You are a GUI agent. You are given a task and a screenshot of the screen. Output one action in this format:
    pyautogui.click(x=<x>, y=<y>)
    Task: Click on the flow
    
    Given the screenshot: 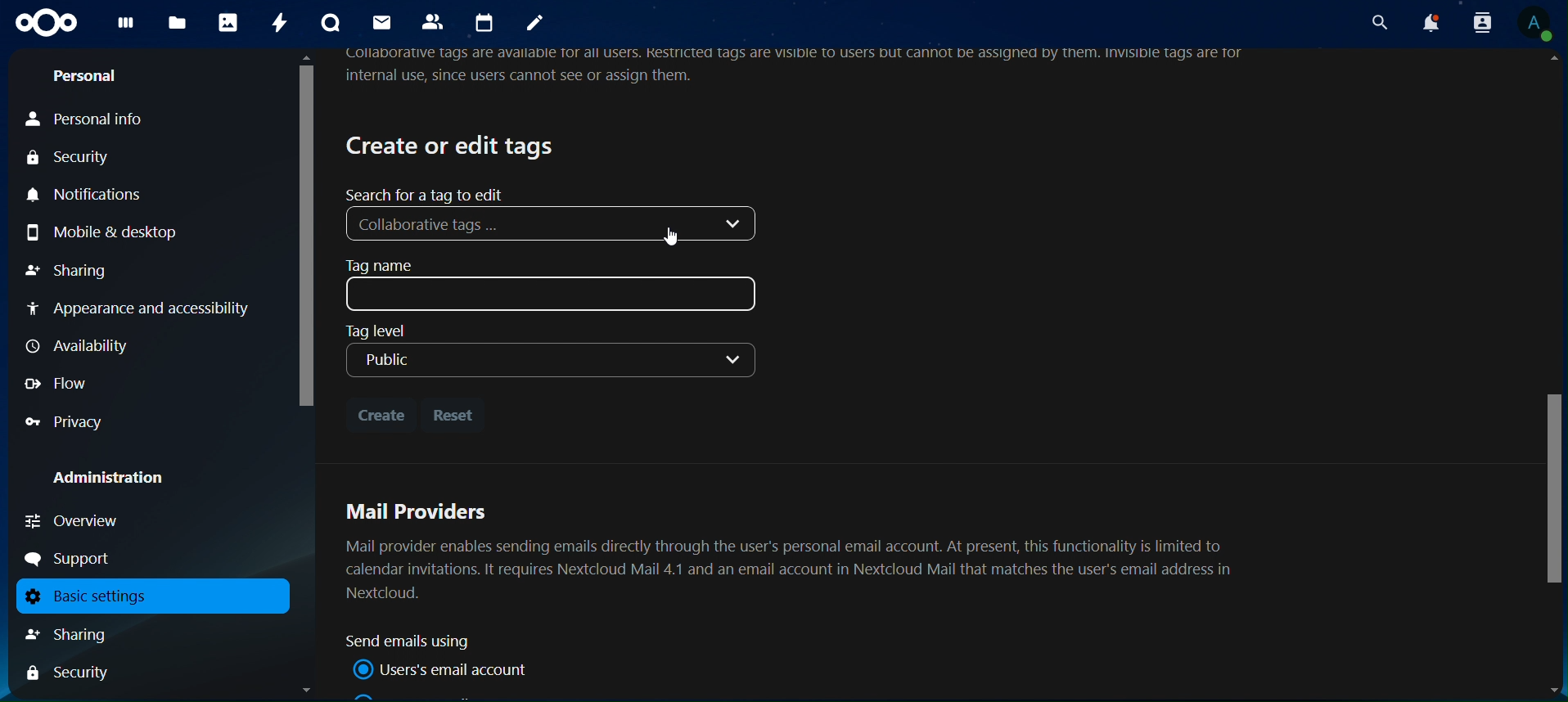 What is the action you would take?
    pyautogui.click(x=59, y=383)
    